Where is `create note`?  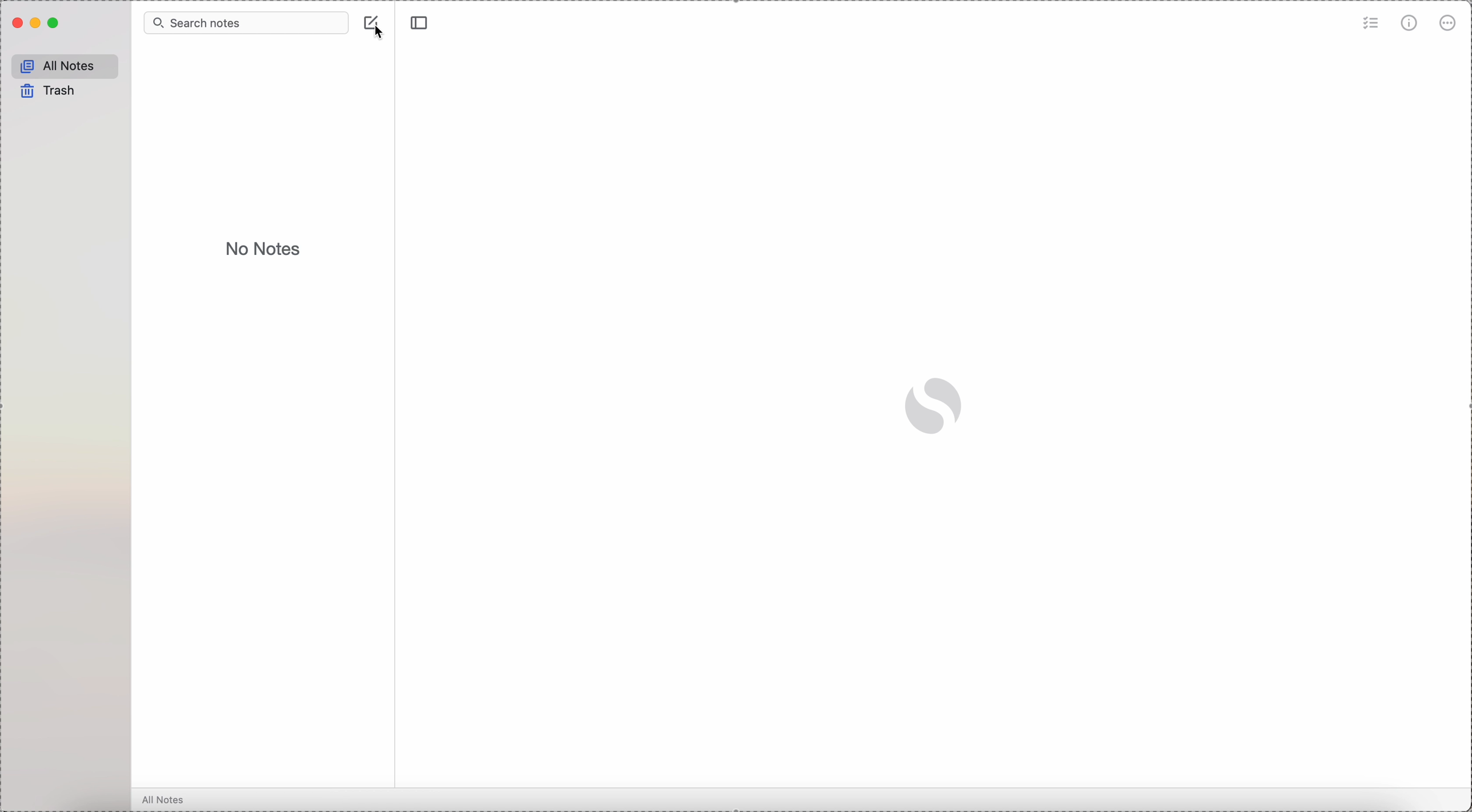
create note is located at coordinates (377, 24).